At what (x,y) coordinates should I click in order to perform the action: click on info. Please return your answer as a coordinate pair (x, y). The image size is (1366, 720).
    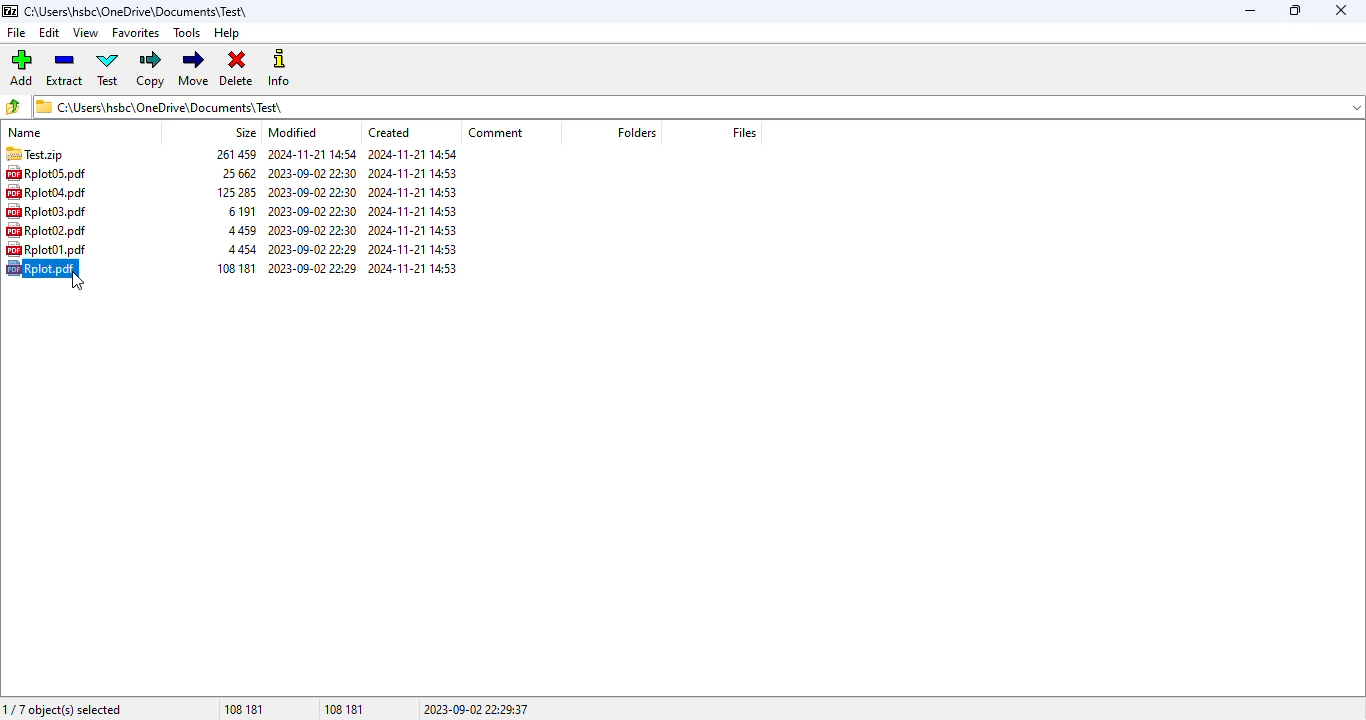
    Looking at the image, I should click on (280, 67).